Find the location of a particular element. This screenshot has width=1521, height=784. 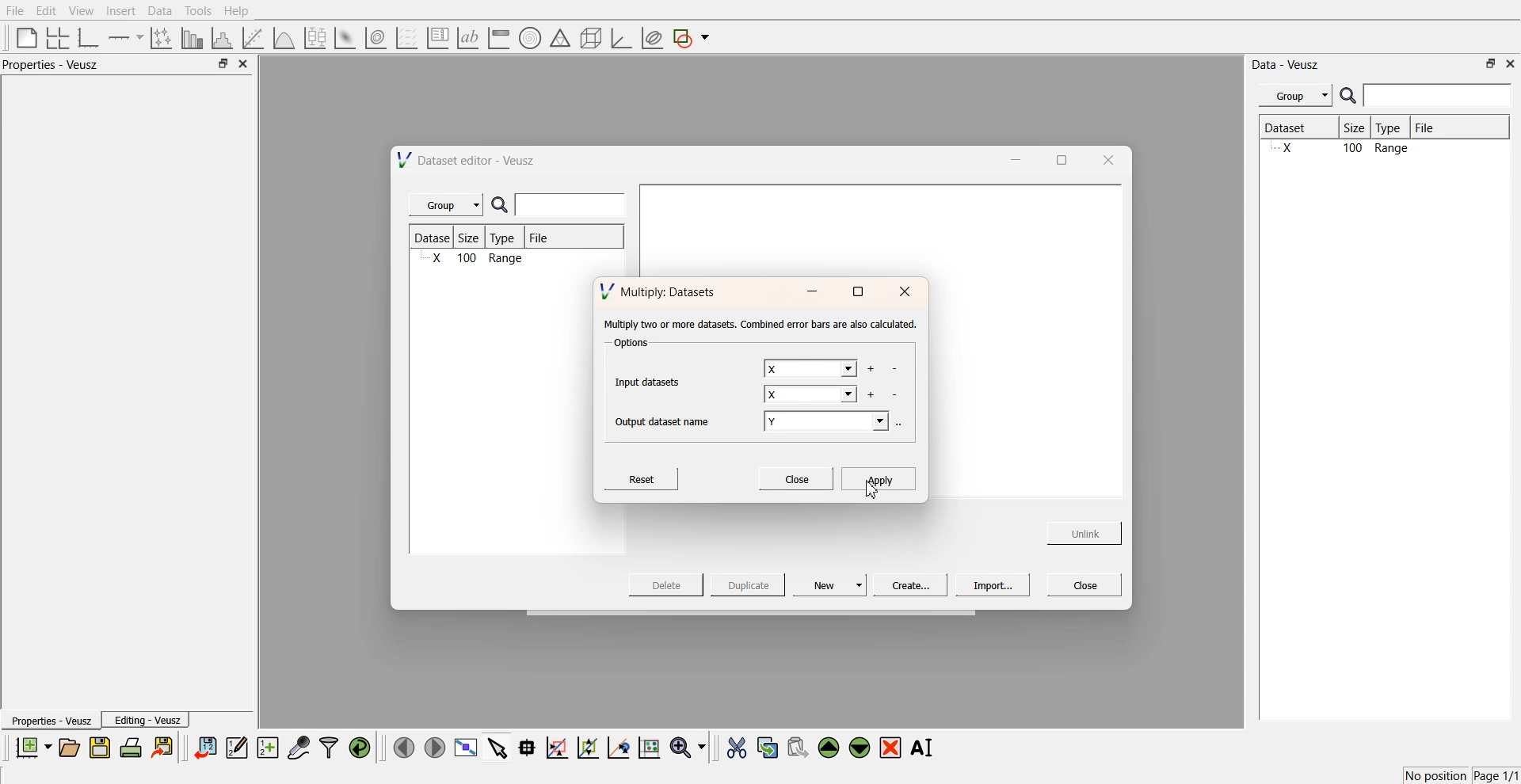

base graphs is located at coordinates (90, 37).